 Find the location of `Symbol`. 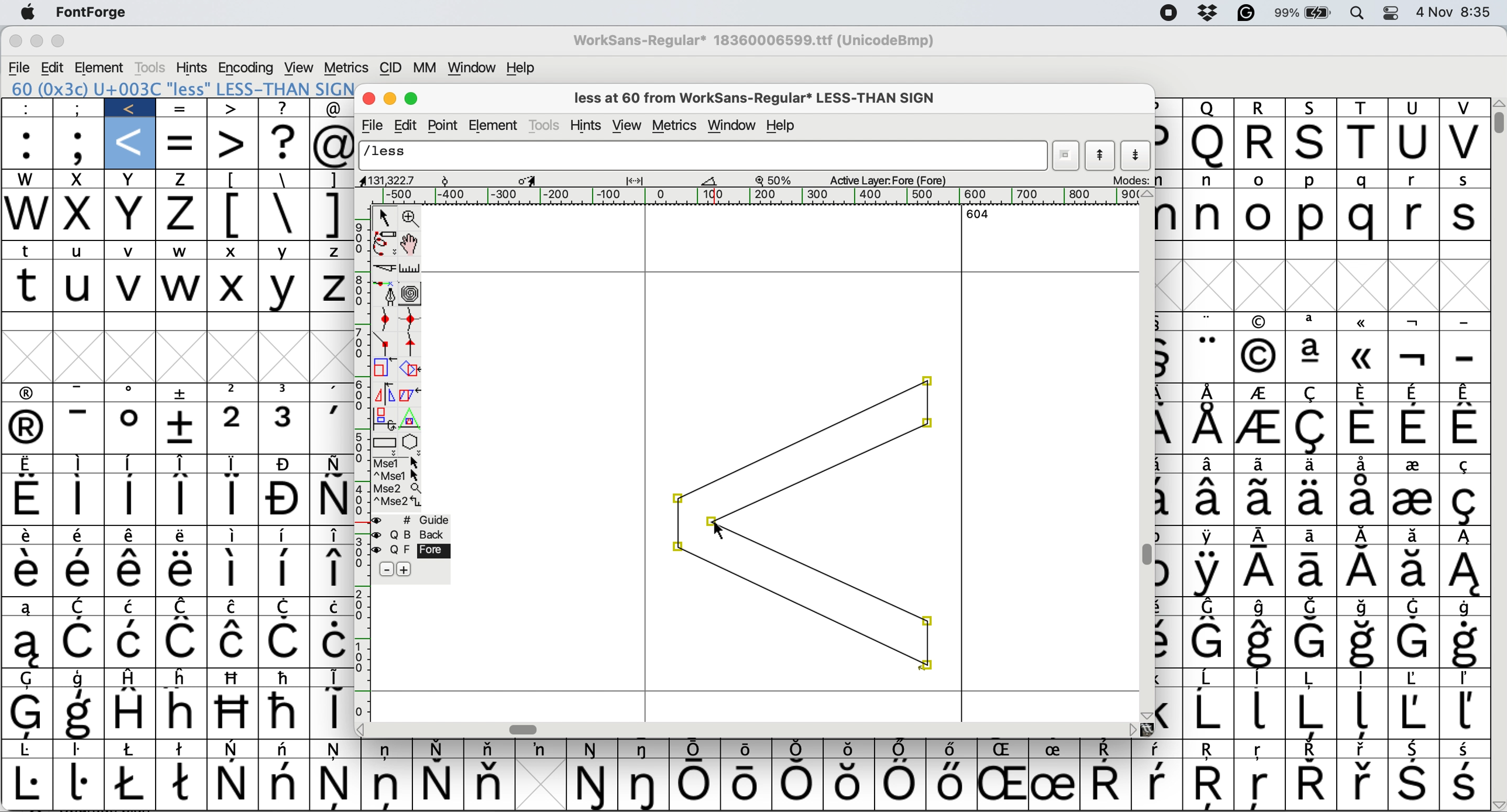

Symbol is located at coordinates (1312, 785).